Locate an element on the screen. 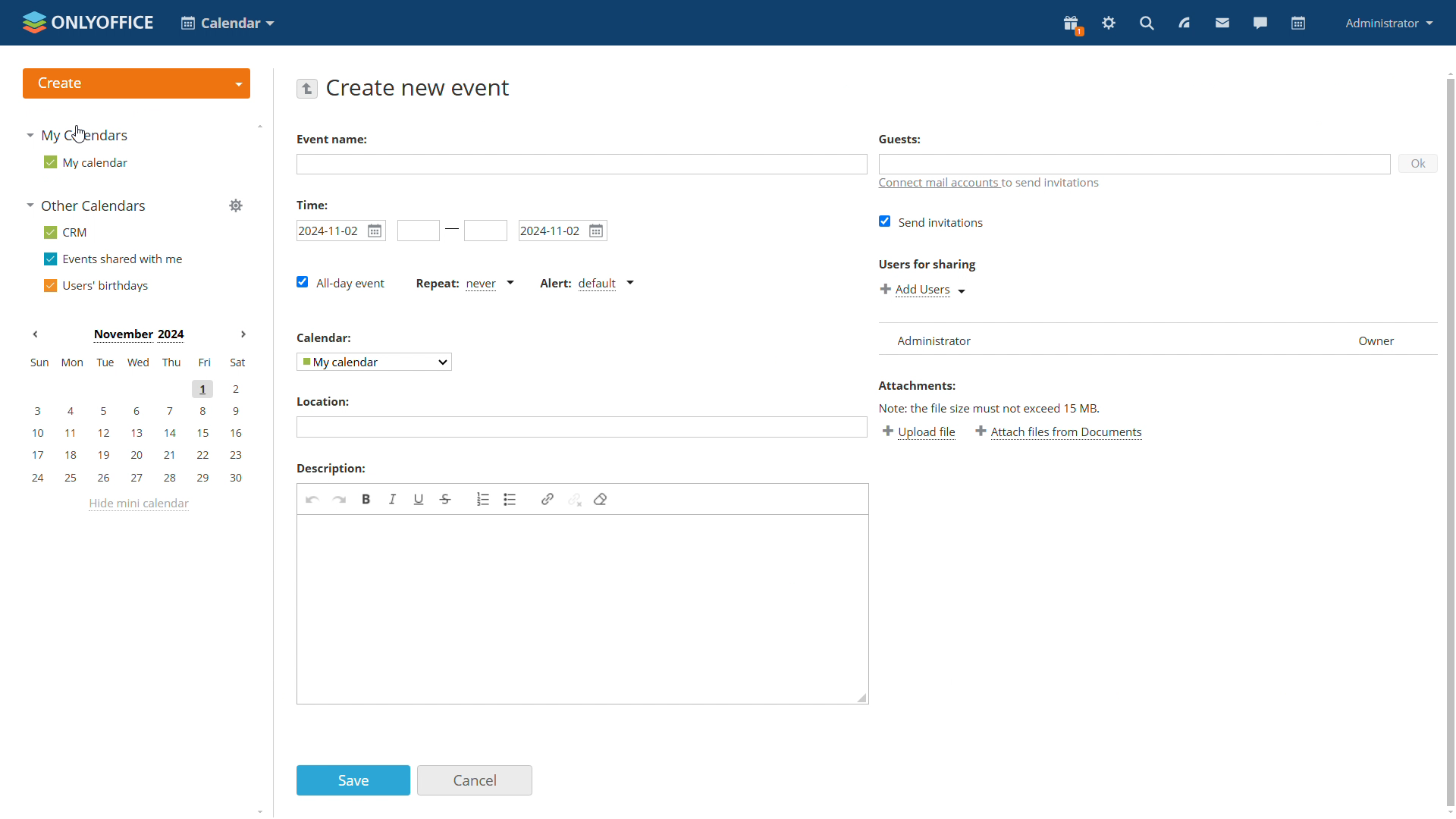  send invitations is located at coordinates (928, 222).